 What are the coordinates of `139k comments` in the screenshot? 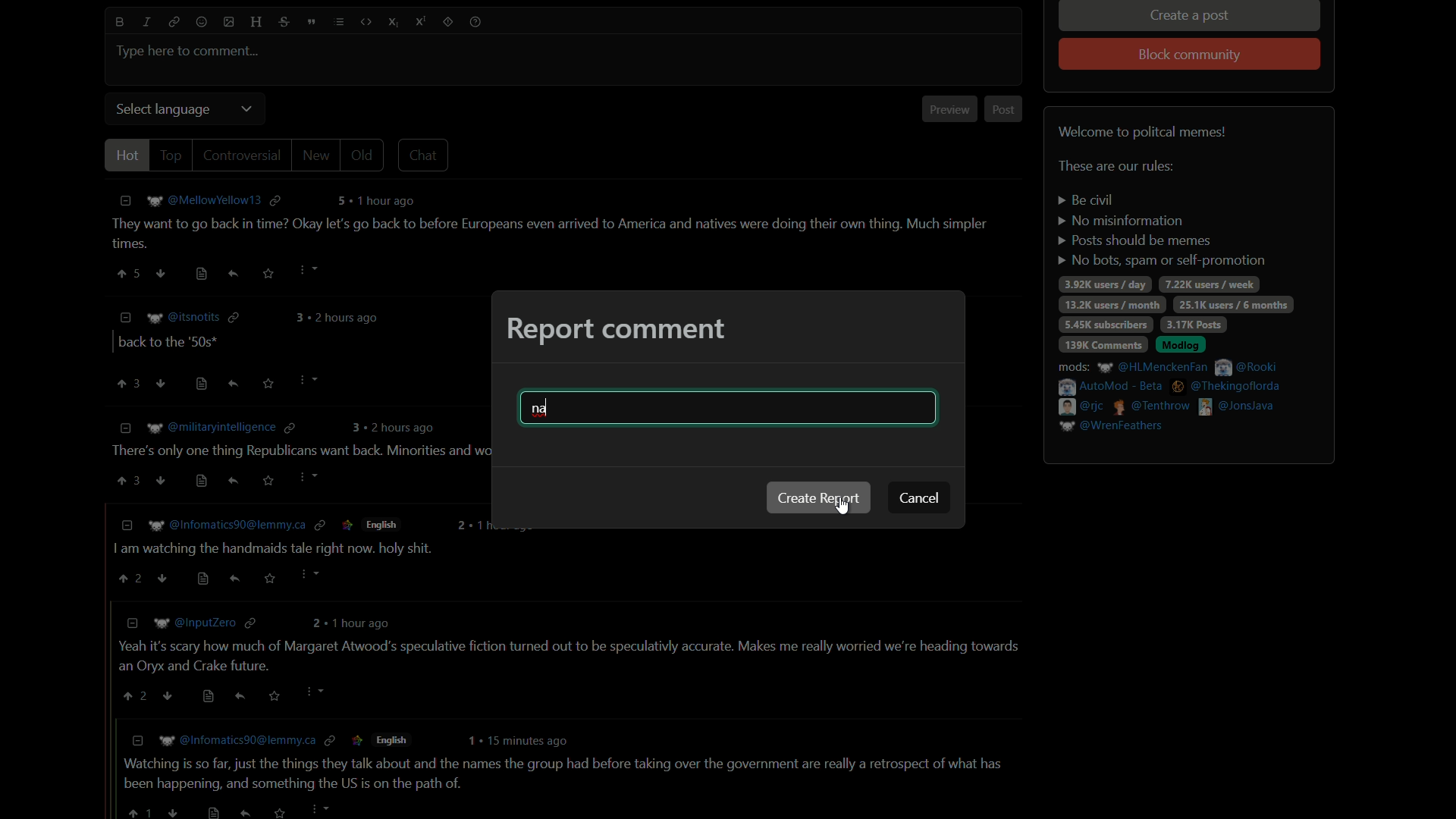 It's located at (1103, 344).